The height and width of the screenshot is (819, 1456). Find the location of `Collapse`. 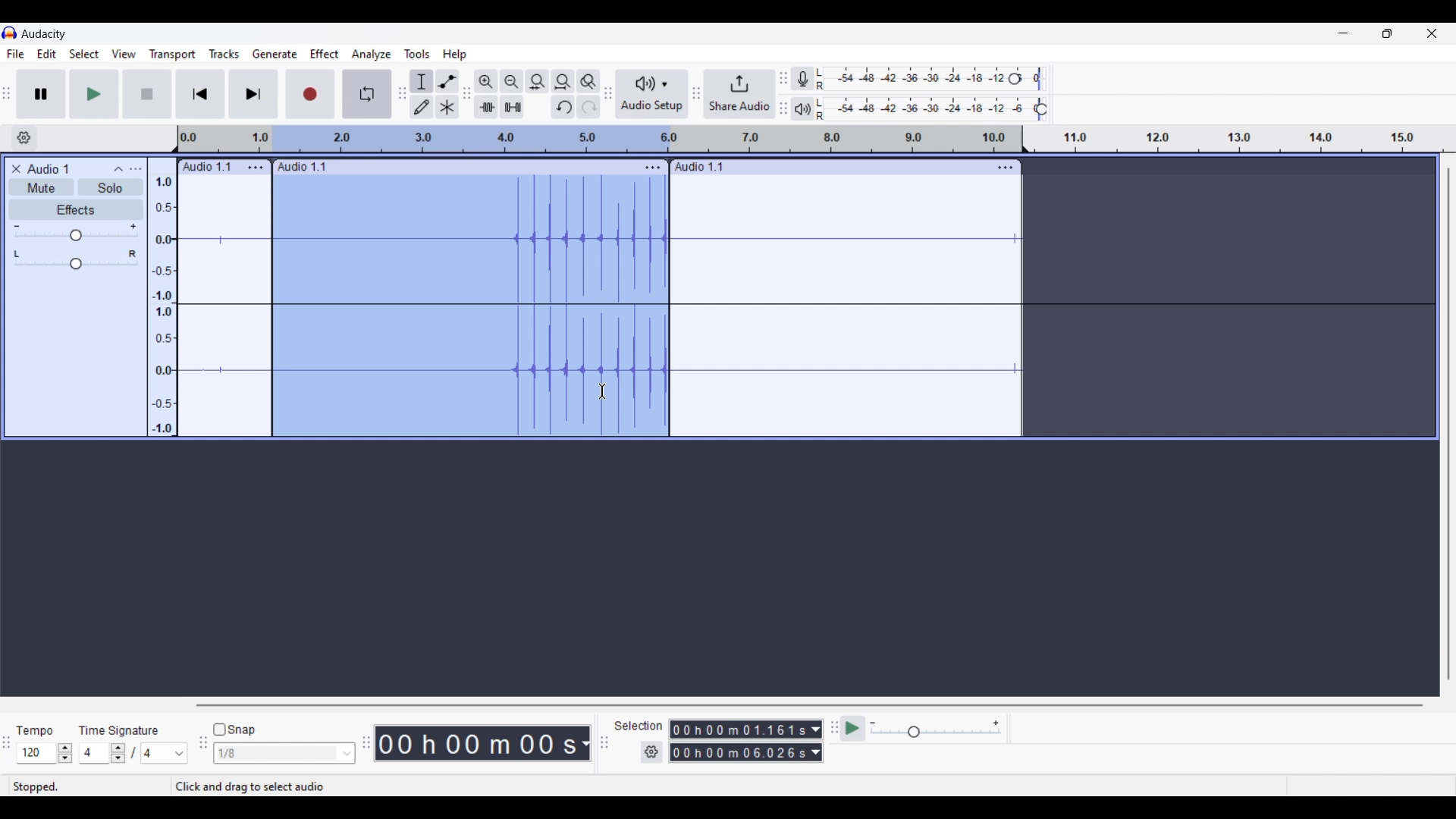

Collapse is located at coordinates (118, 169).